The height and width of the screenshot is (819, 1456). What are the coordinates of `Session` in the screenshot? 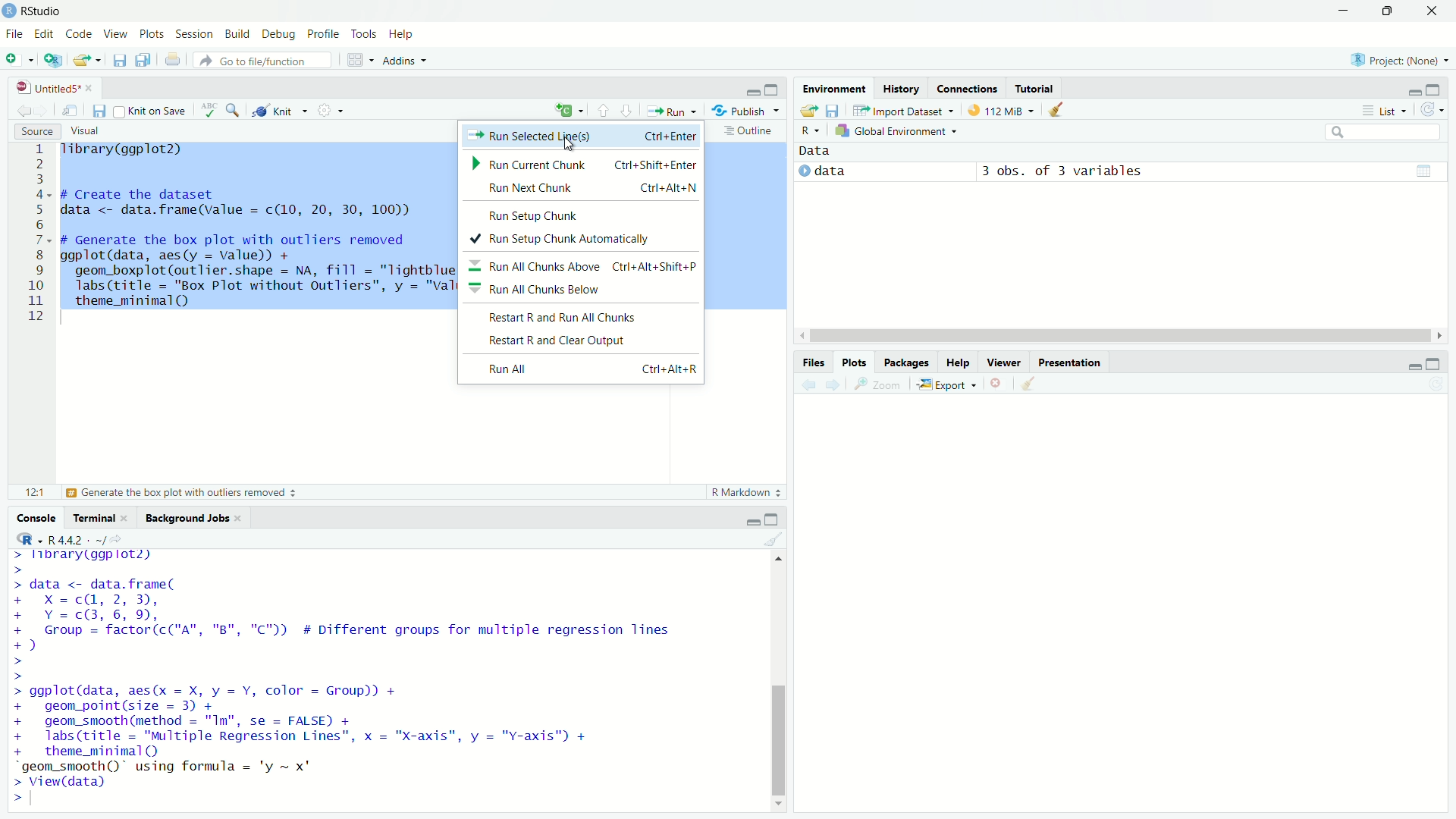 It's located at (196, 35).